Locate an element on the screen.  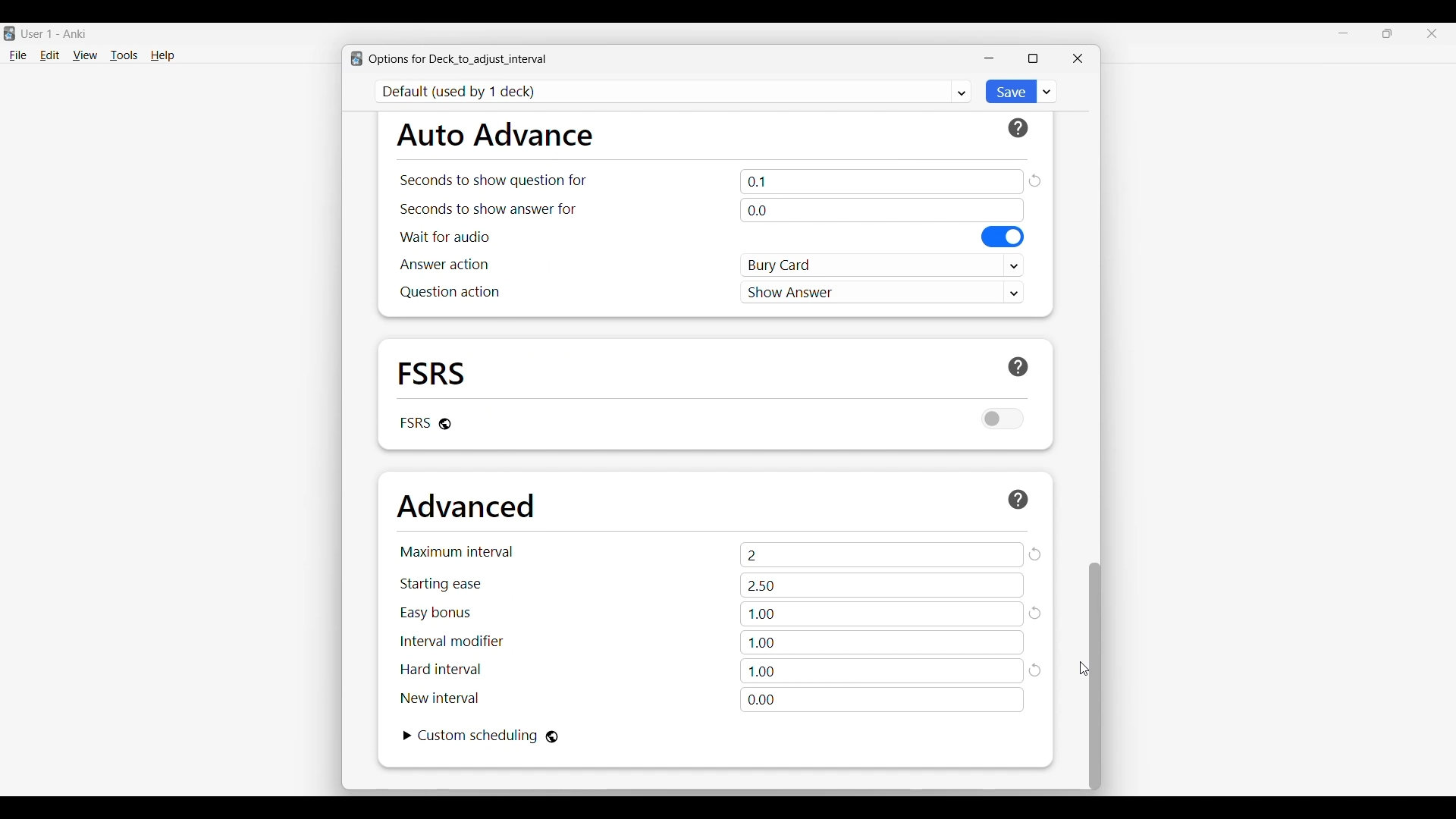
Close interface is located at coordinates (1432, 33).